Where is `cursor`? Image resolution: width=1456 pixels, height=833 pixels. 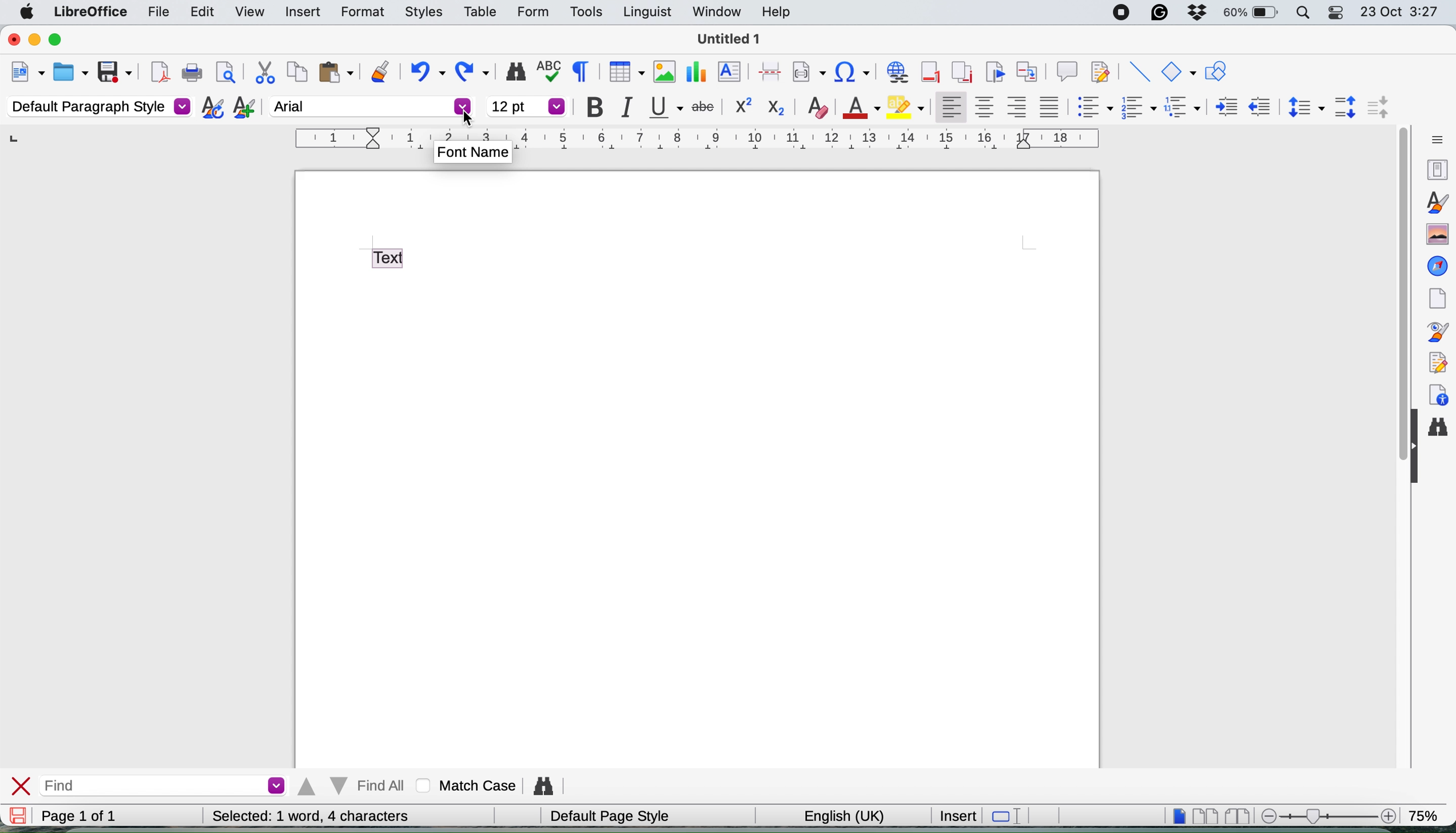 cursor is located at coordinates (467, 117).